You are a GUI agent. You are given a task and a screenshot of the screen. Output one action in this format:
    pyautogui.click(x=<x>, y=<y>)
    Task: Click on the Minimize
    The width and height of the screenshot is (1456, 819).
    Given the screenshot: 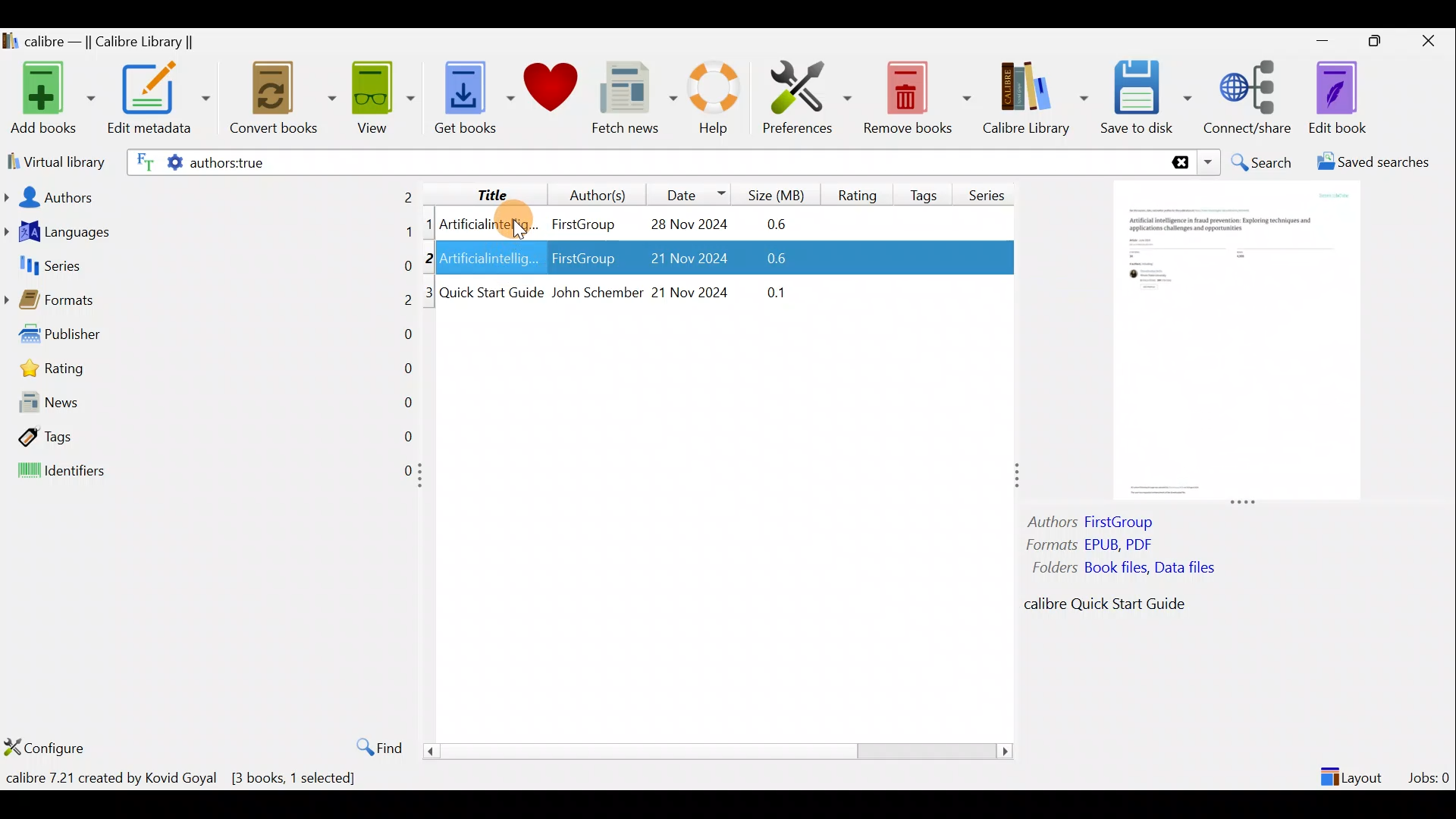 What is the action you would take?
    pyautogui.click(x=1323, y=40)
    